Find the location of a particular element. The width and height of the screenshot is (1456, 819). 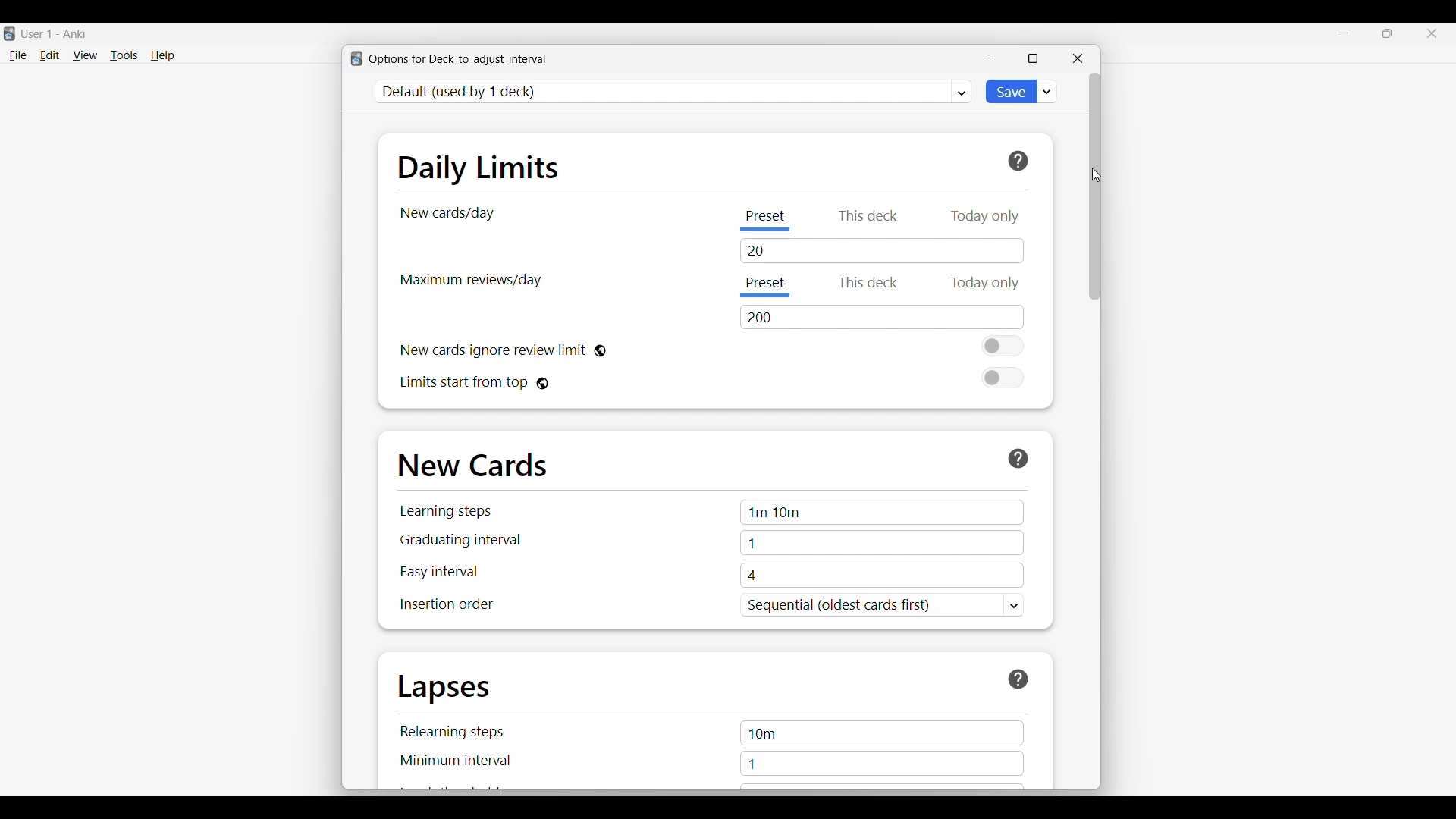

Affects the entire collection is located at coordinates (542, 384).